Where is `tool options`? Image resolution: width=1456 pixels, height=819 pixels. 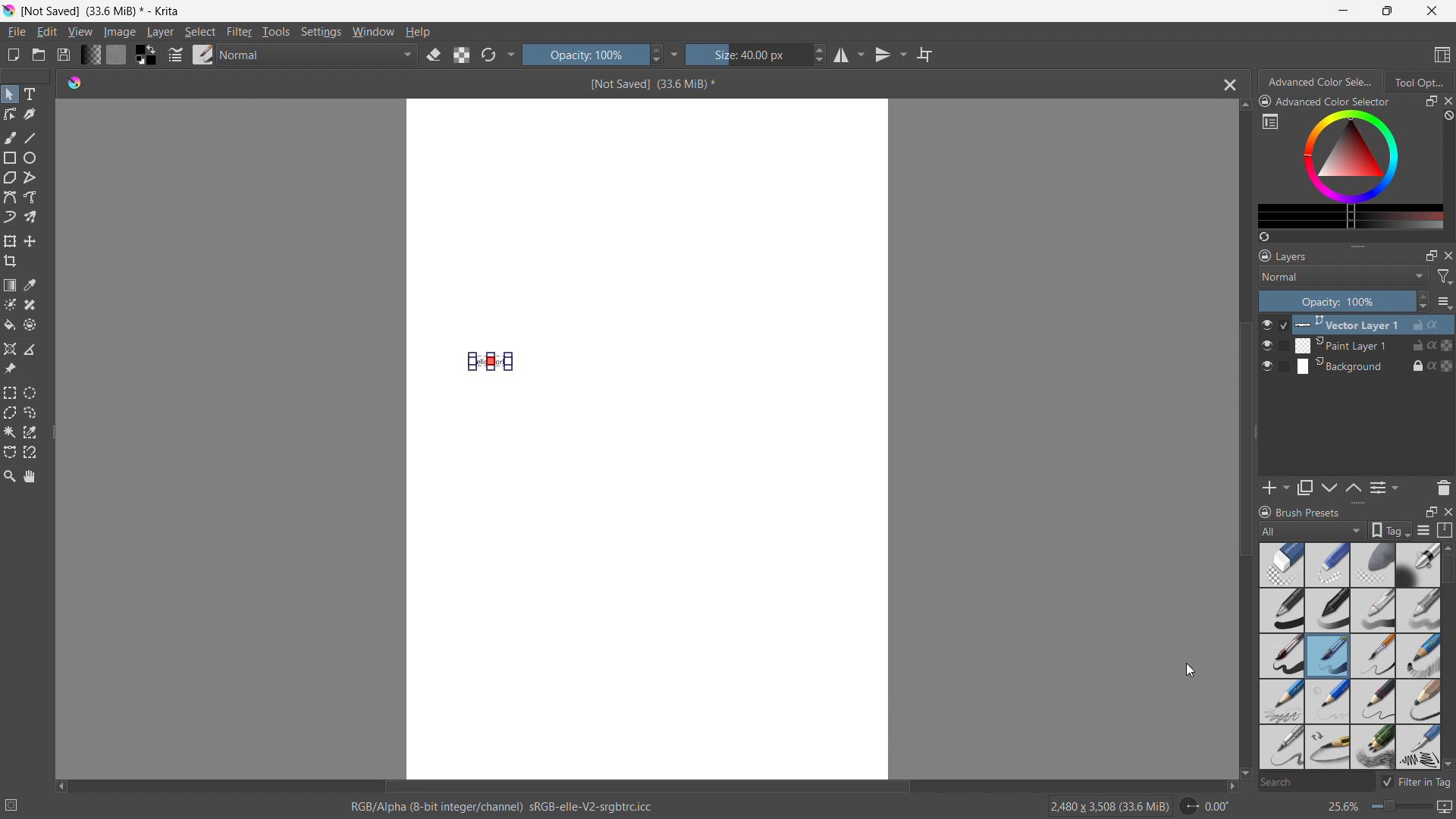
tool options is located at coordinates (1418, 81).